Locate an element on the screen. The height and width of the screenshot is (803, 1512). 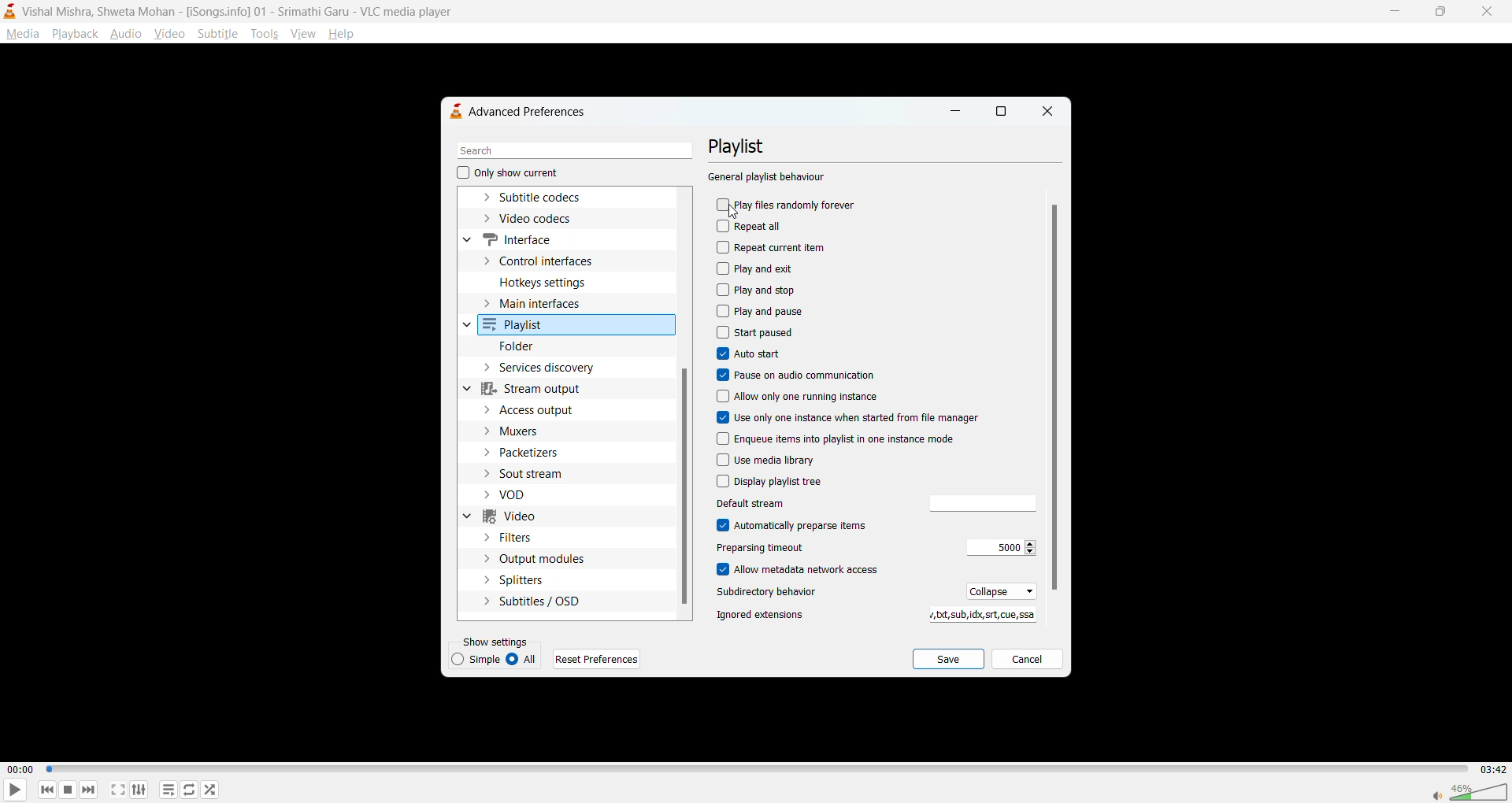
stop is located at coordinates (65, 790).